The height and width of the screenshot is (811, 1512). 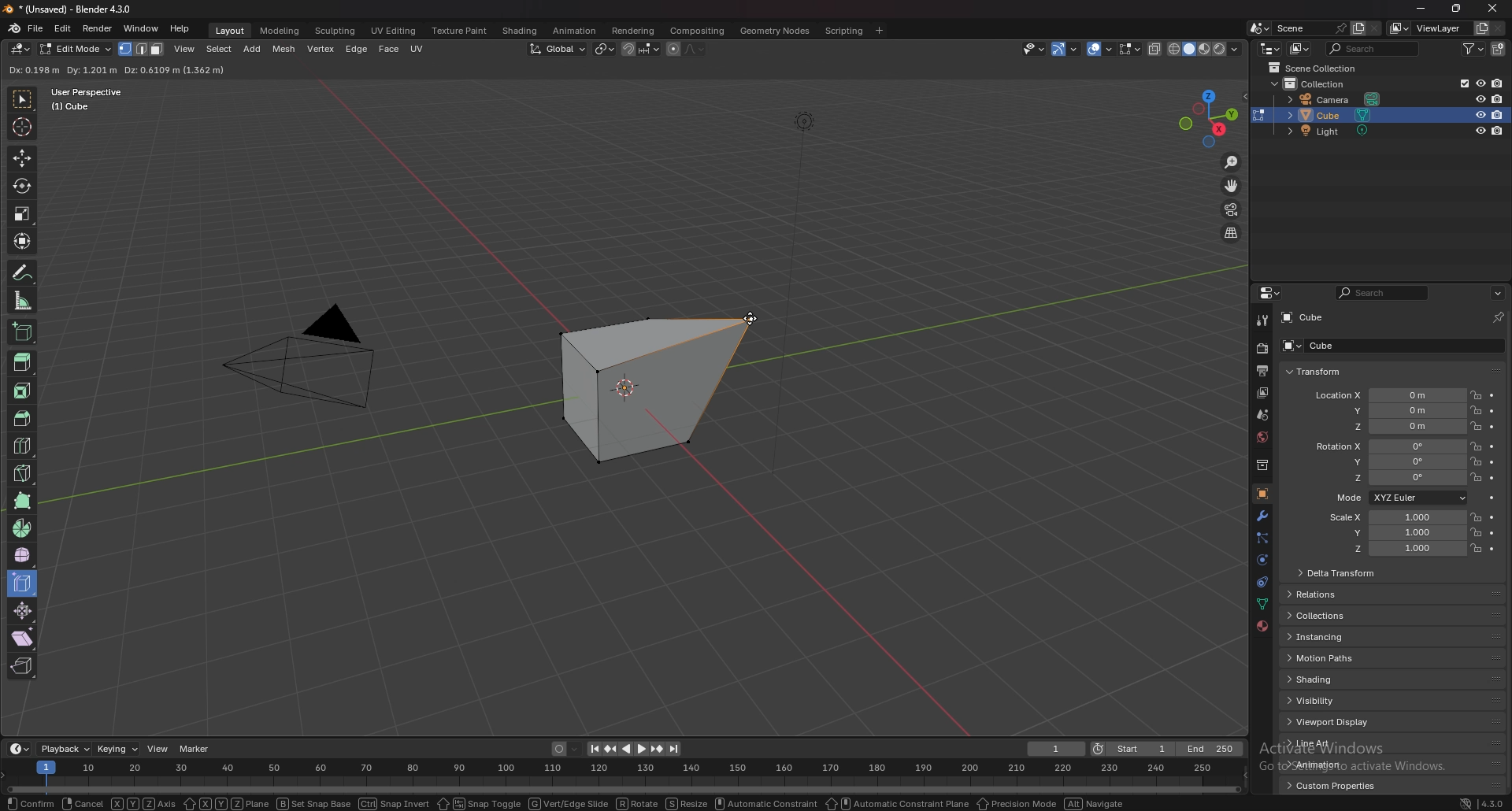 I want to click on user perspective, so click(x=98, y=98).